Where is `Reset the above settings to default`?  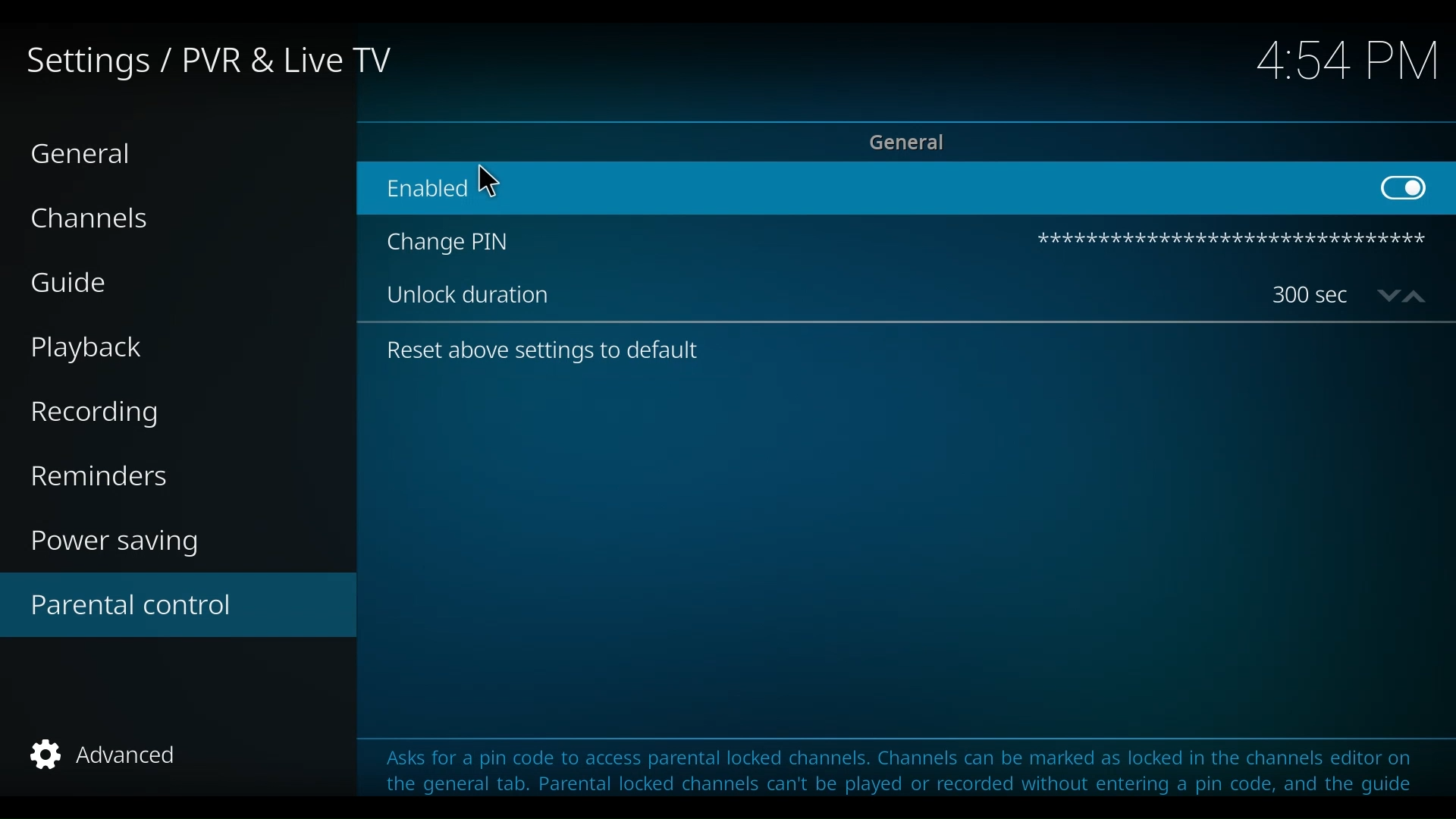
Reset the above settings to default is located at coordinates (534, 352).